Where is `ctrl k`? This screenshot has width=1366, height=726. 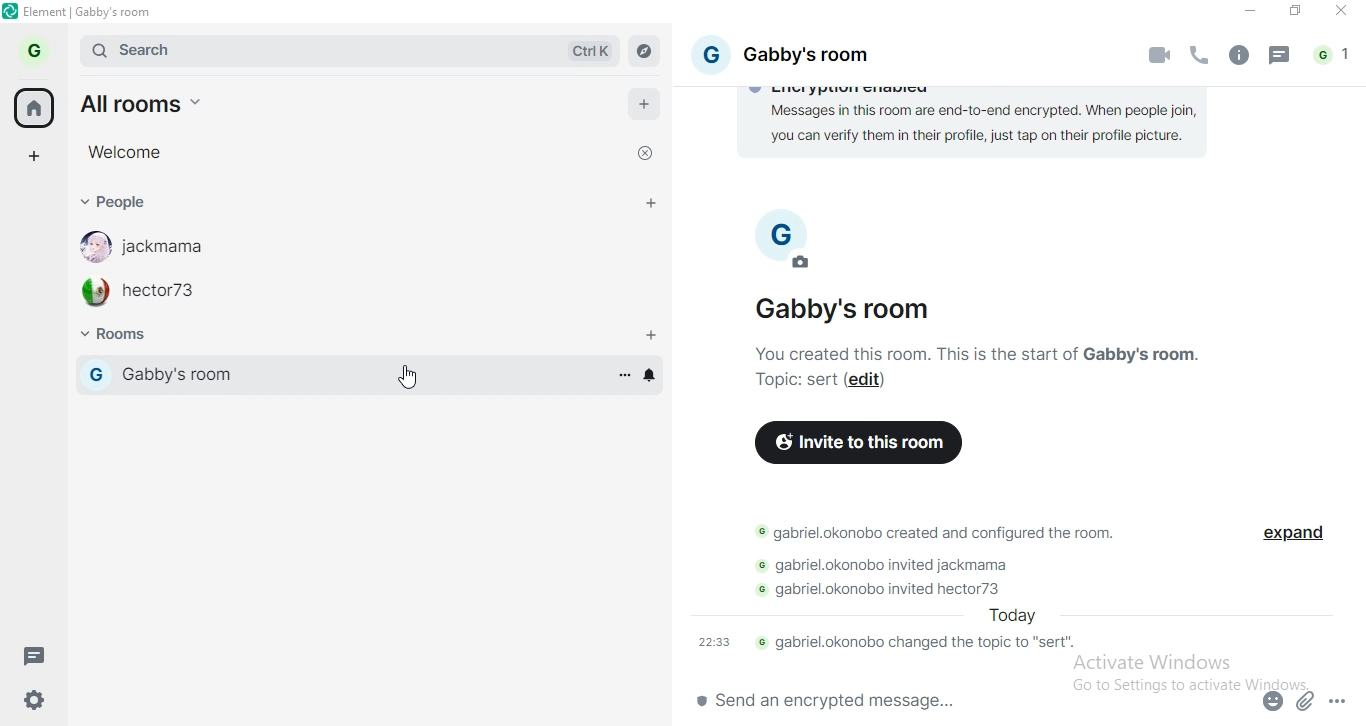 ctrl k is located at coordinates (593, 51).